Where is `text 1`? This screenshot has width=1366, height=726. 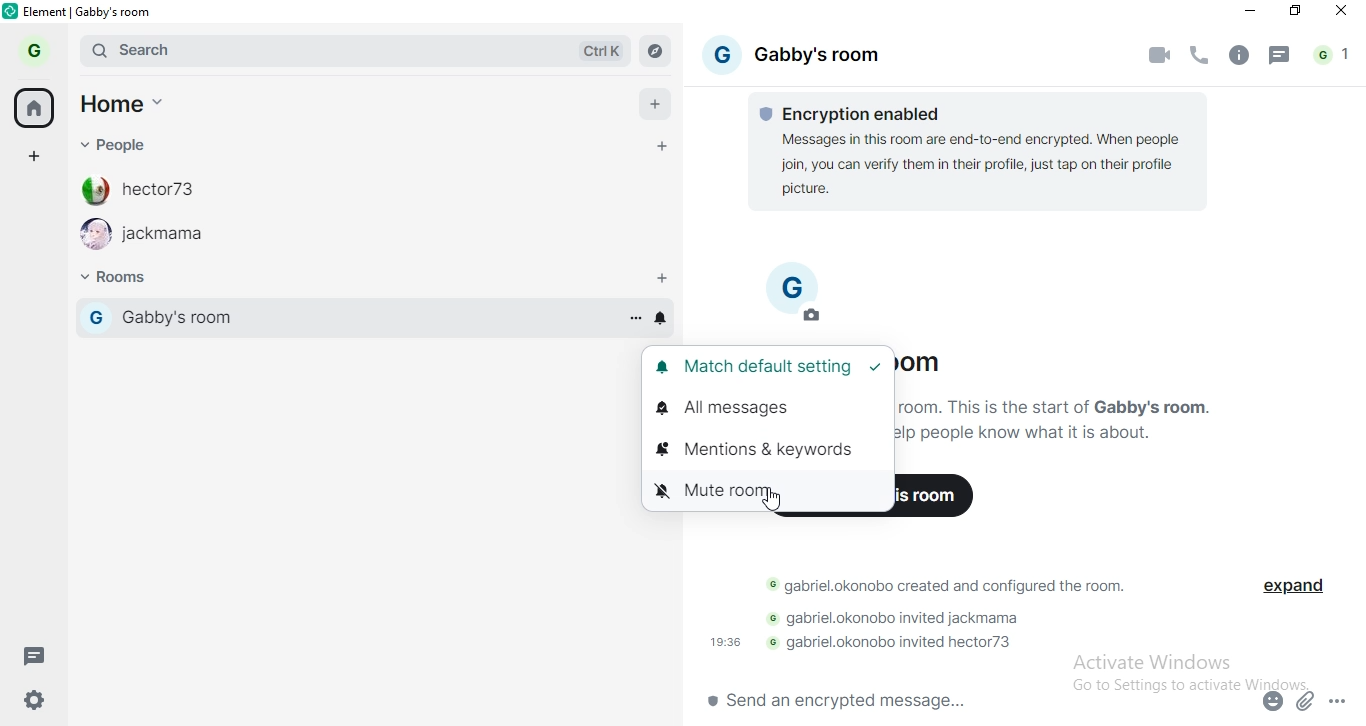
text 1 is located at coordinates (970, 153).